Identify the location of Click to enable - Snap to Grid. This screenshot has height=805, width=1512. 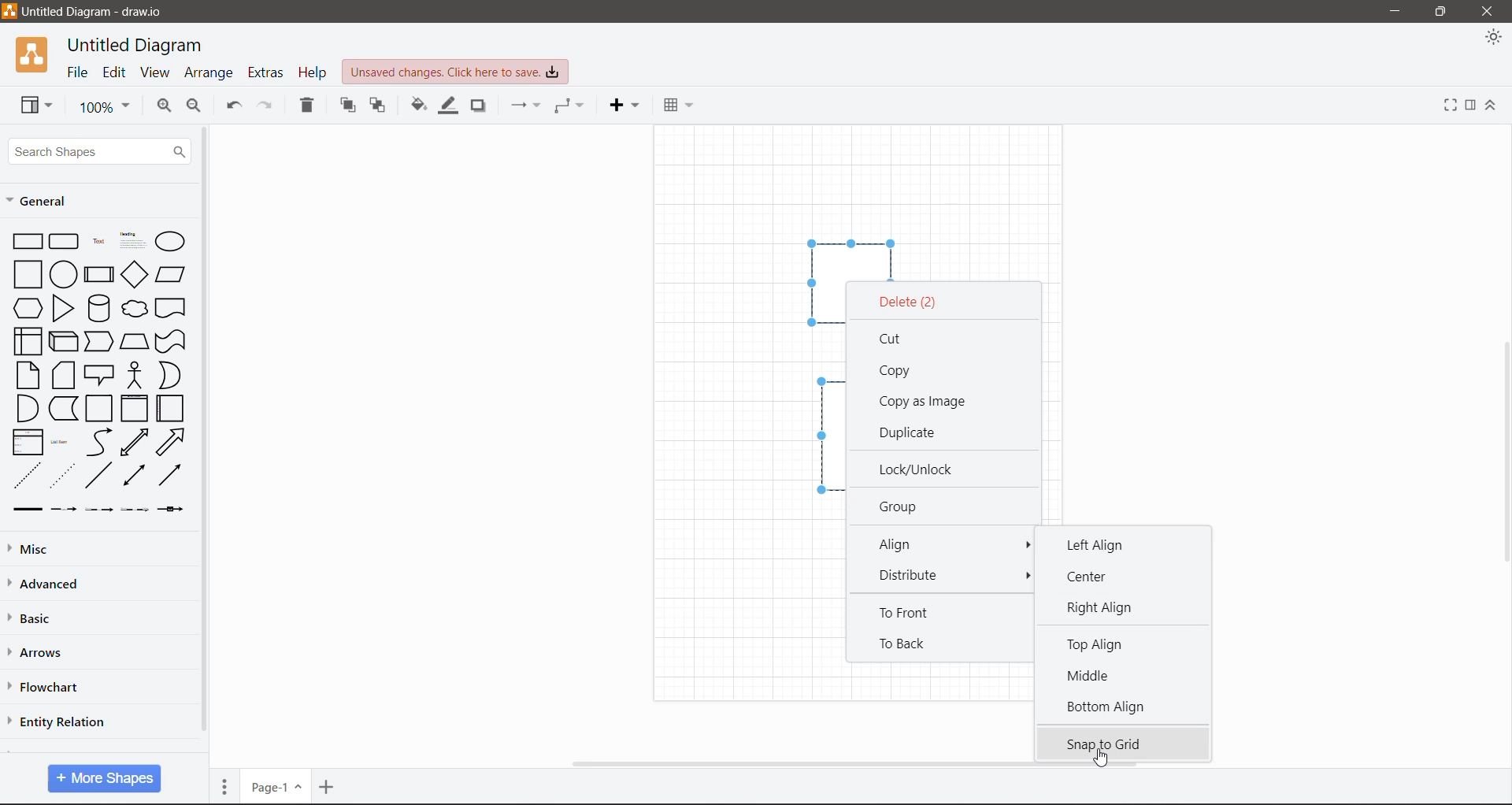
(1125, 740).